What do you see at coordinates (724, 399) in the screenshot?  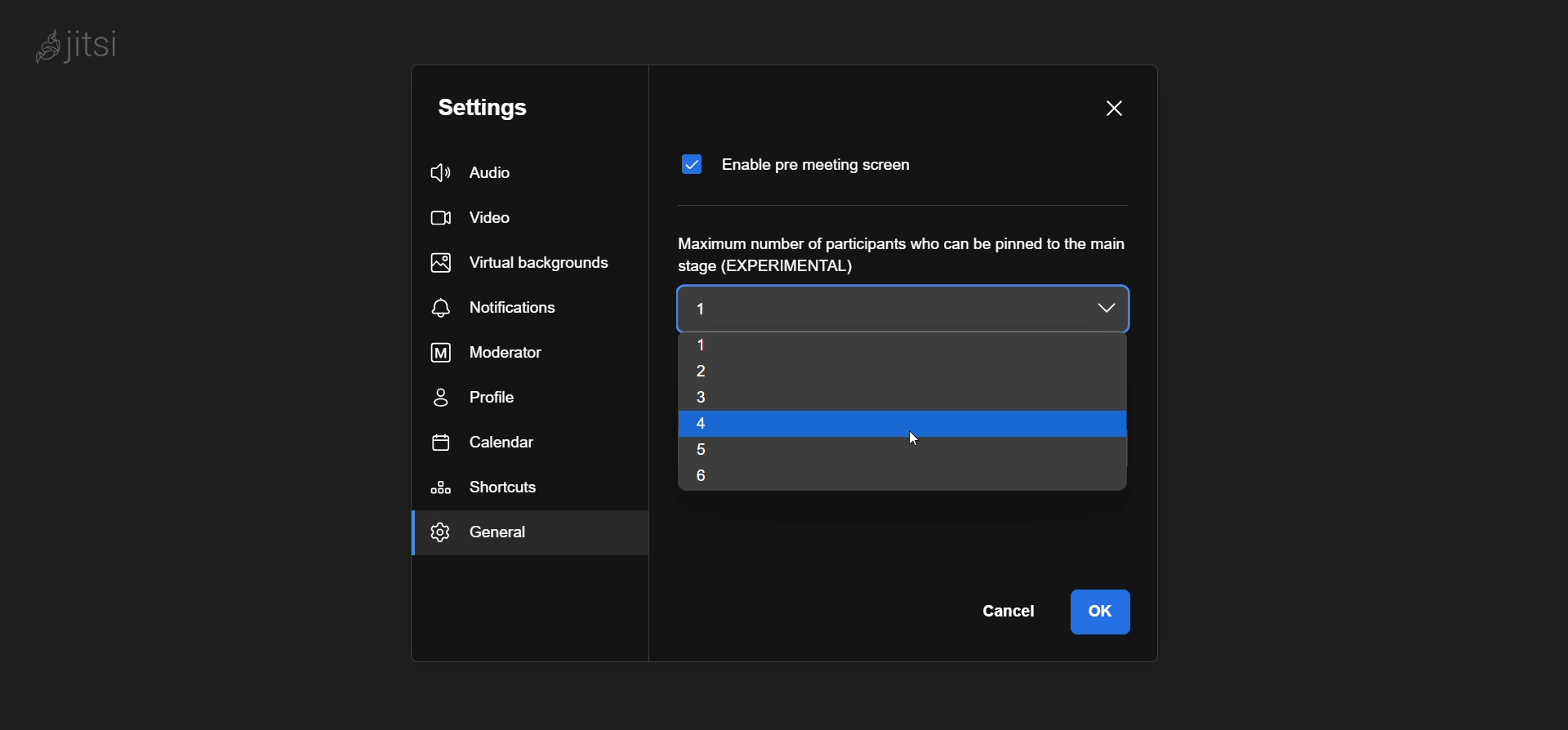 I see `3` at bounding box center [724, 399].